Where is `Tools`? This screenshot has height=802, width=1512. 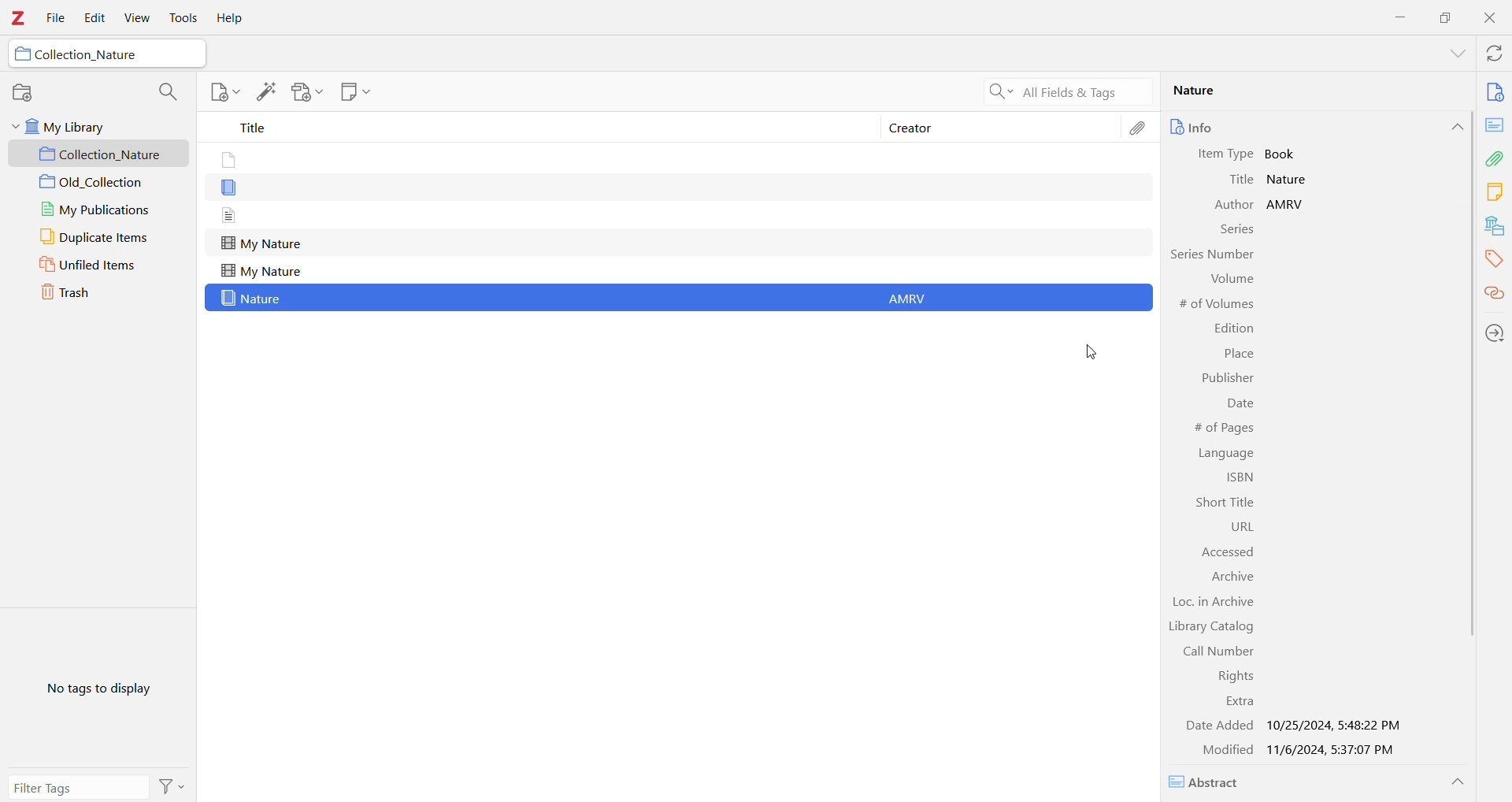
Tools is located at coordinates (182, 18).